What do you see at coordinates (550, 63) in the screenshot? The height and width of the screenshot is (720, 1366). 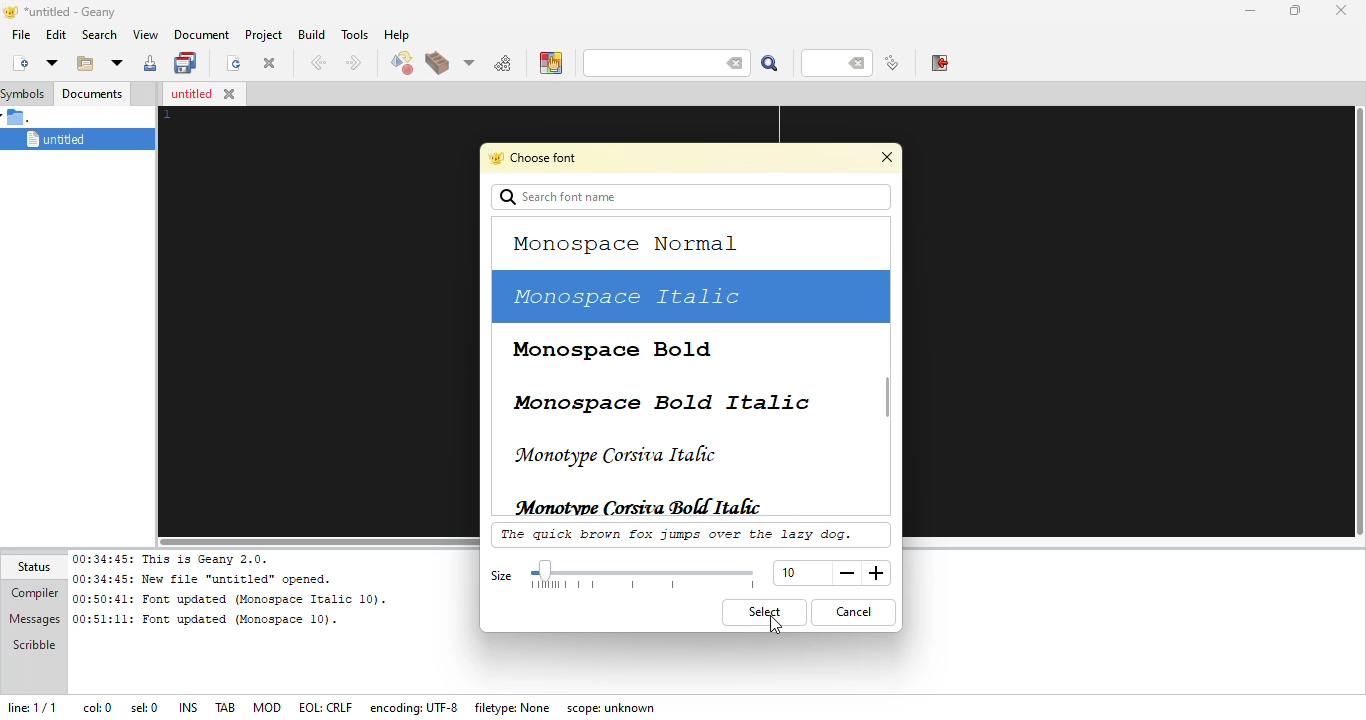 I see `color` at bounding box center [550, 63].